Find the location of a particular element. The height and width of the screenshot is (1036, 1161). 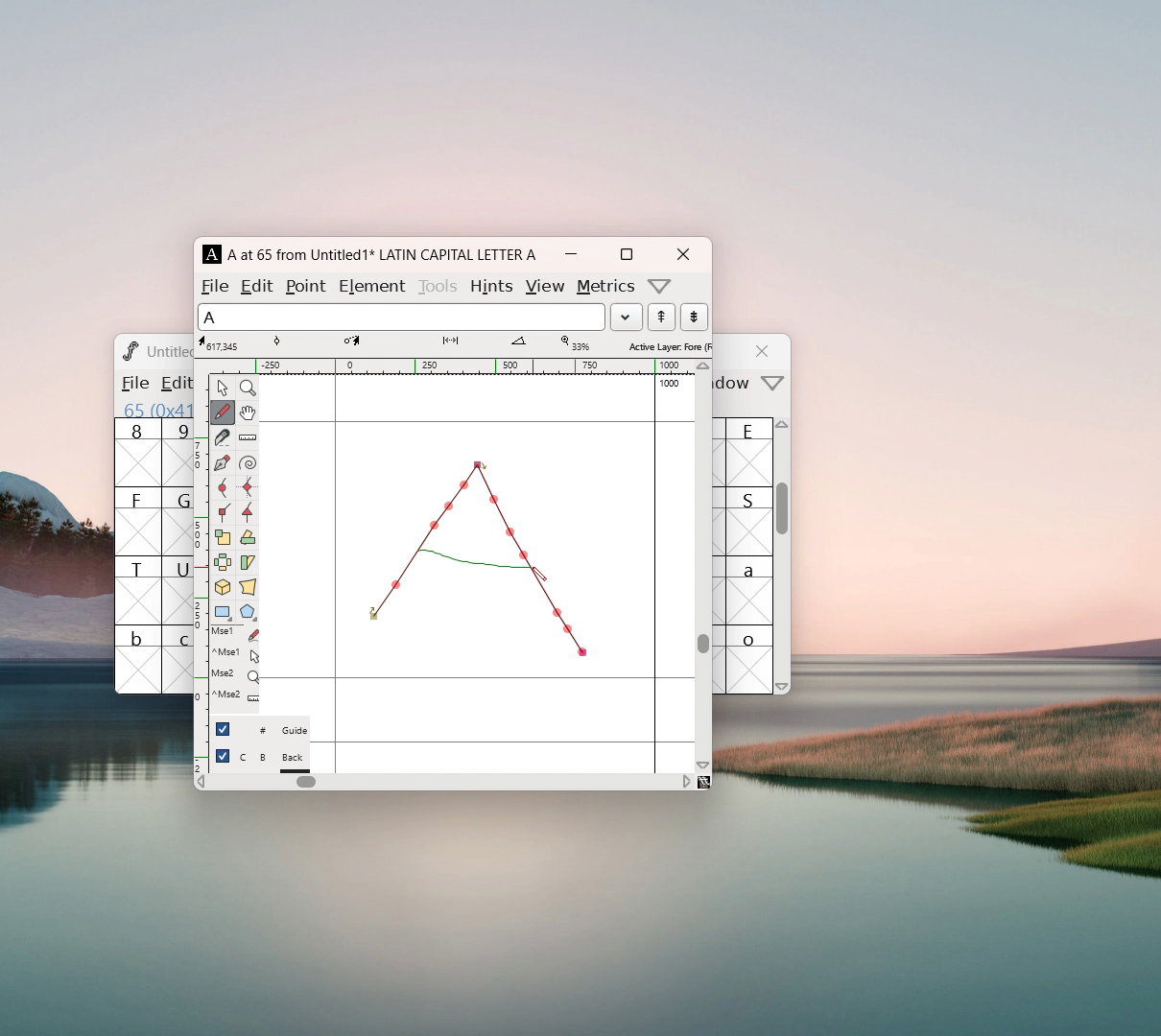

maginify is located at coordinates (248, 388).